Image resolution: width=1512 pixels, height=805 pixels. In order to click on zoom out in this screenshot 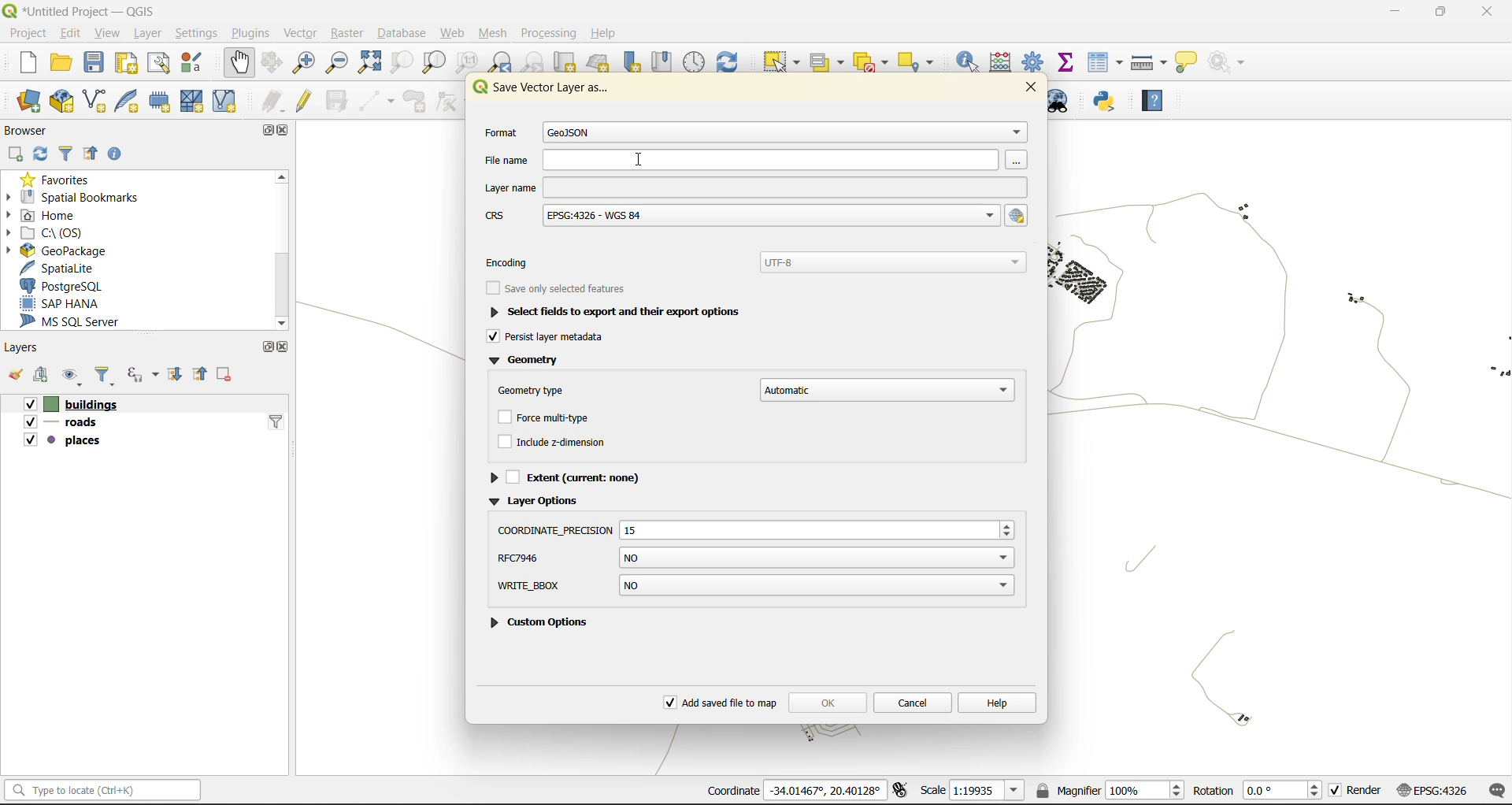, I will do `click(339, 63)`.